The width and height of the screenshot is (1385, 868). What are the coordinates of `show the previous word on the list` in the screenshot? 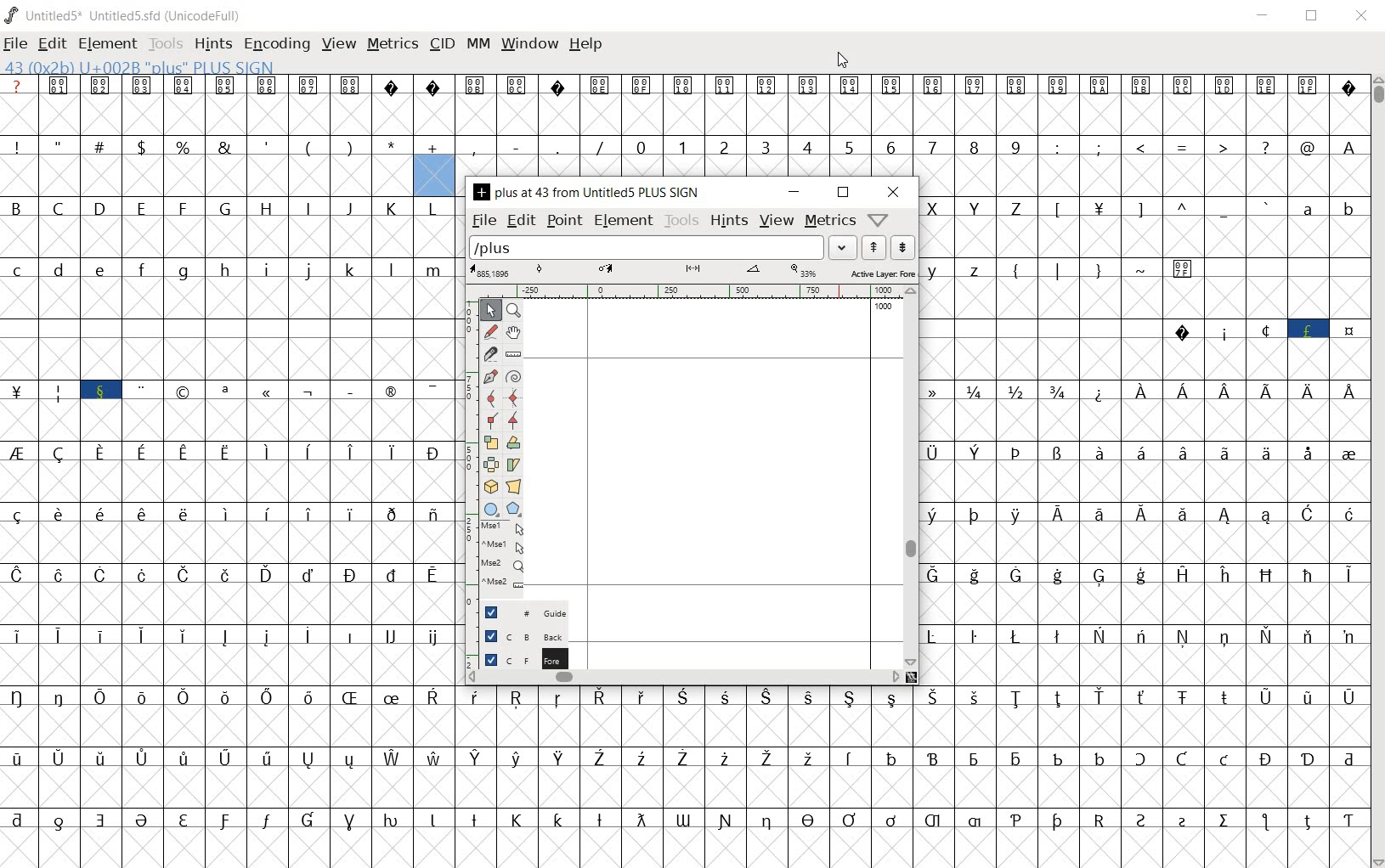 It's located at (904, 248).